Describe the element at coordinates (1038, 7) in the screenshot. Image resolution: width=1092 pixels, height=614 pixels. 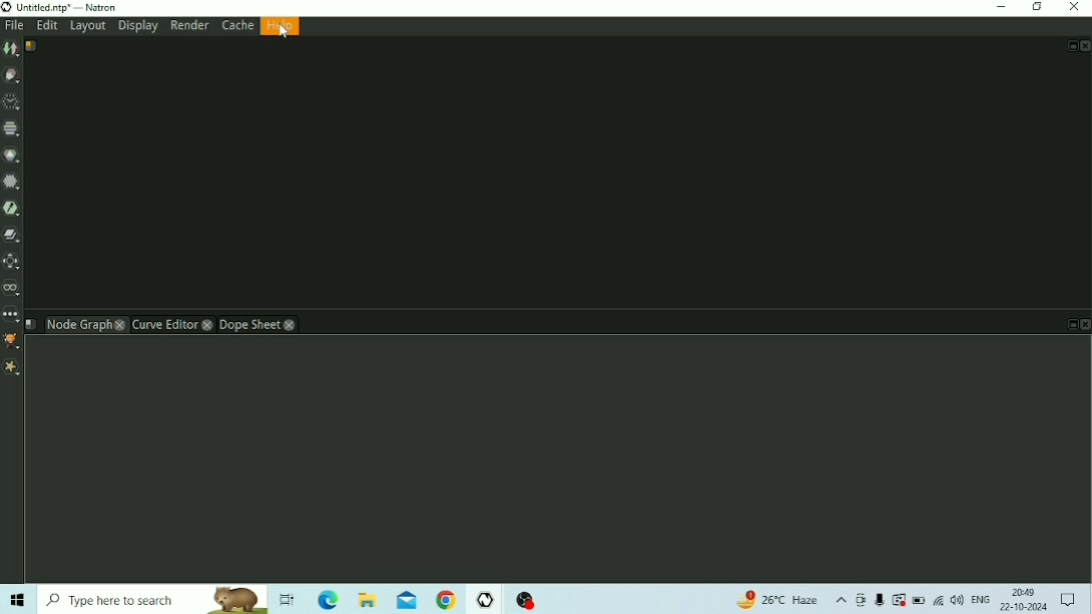
I see `Restore Down` at that location.